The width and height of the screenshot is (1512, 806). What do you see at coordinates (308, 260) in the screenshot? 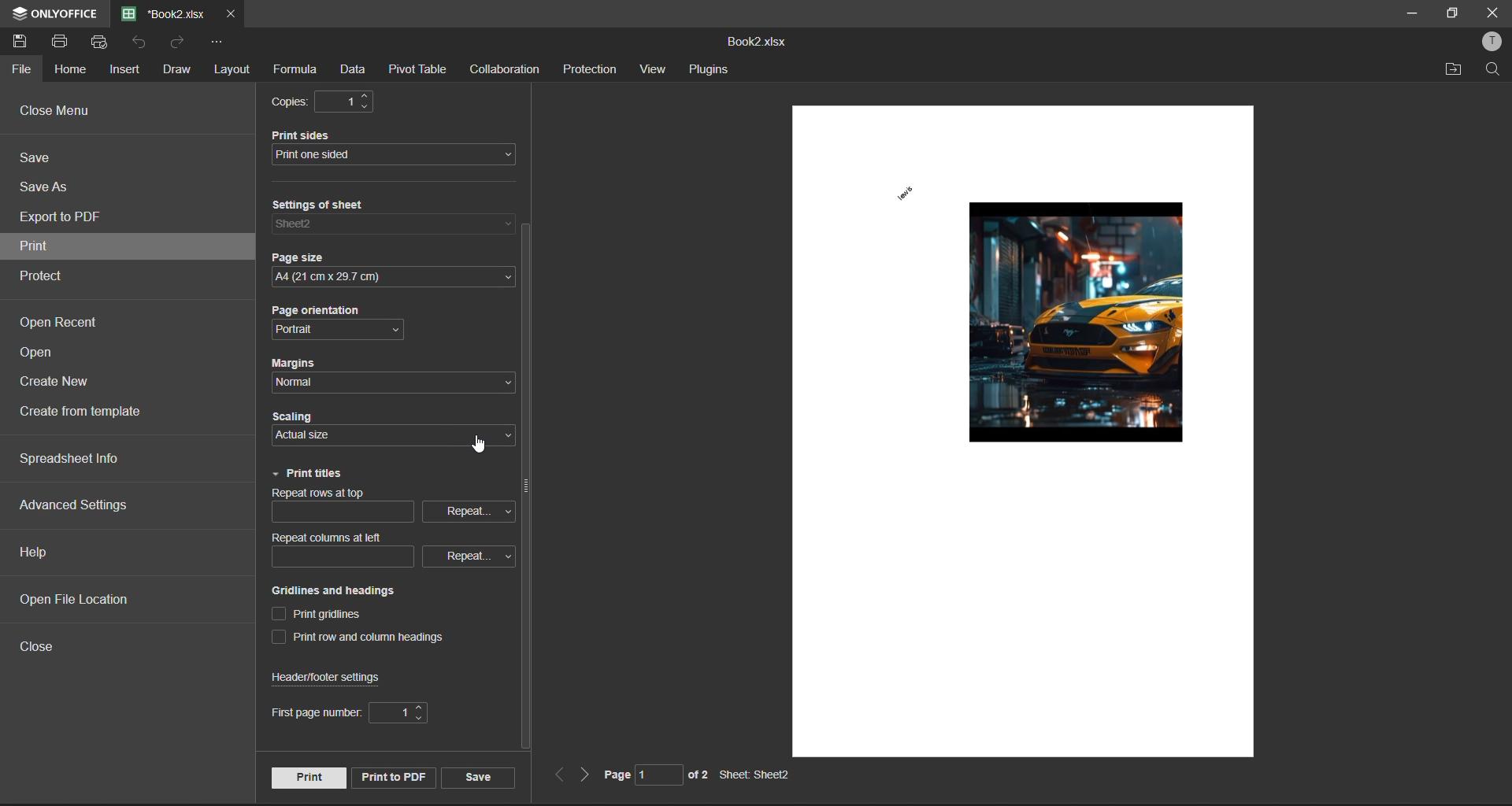
I see `page size` at bounding box center [308, 260].